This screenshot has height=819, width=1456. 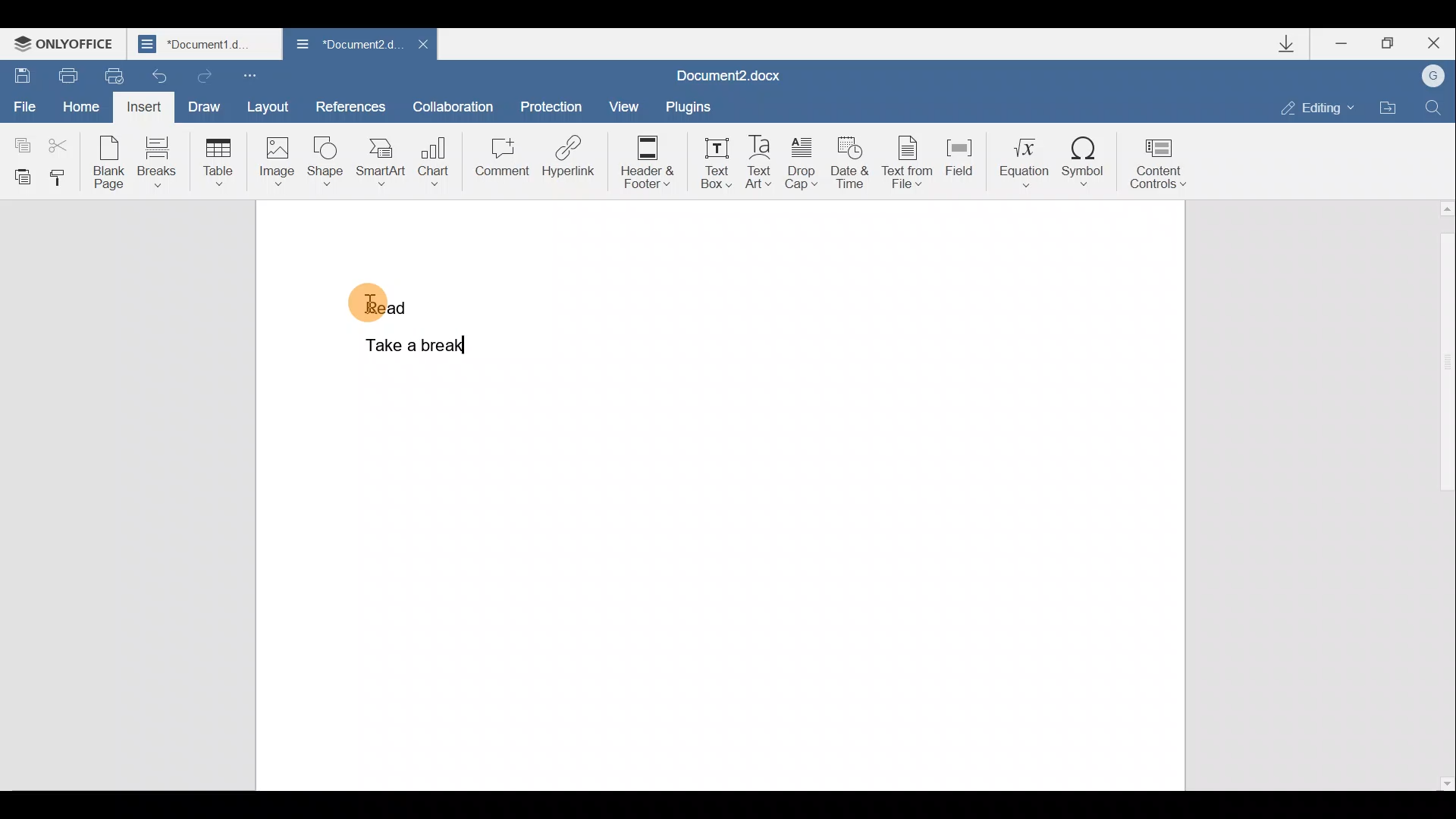 What do you see at coordinates (802, 165) in the screenshot?
I see `Drop cap` at bounding box center [802, 165].